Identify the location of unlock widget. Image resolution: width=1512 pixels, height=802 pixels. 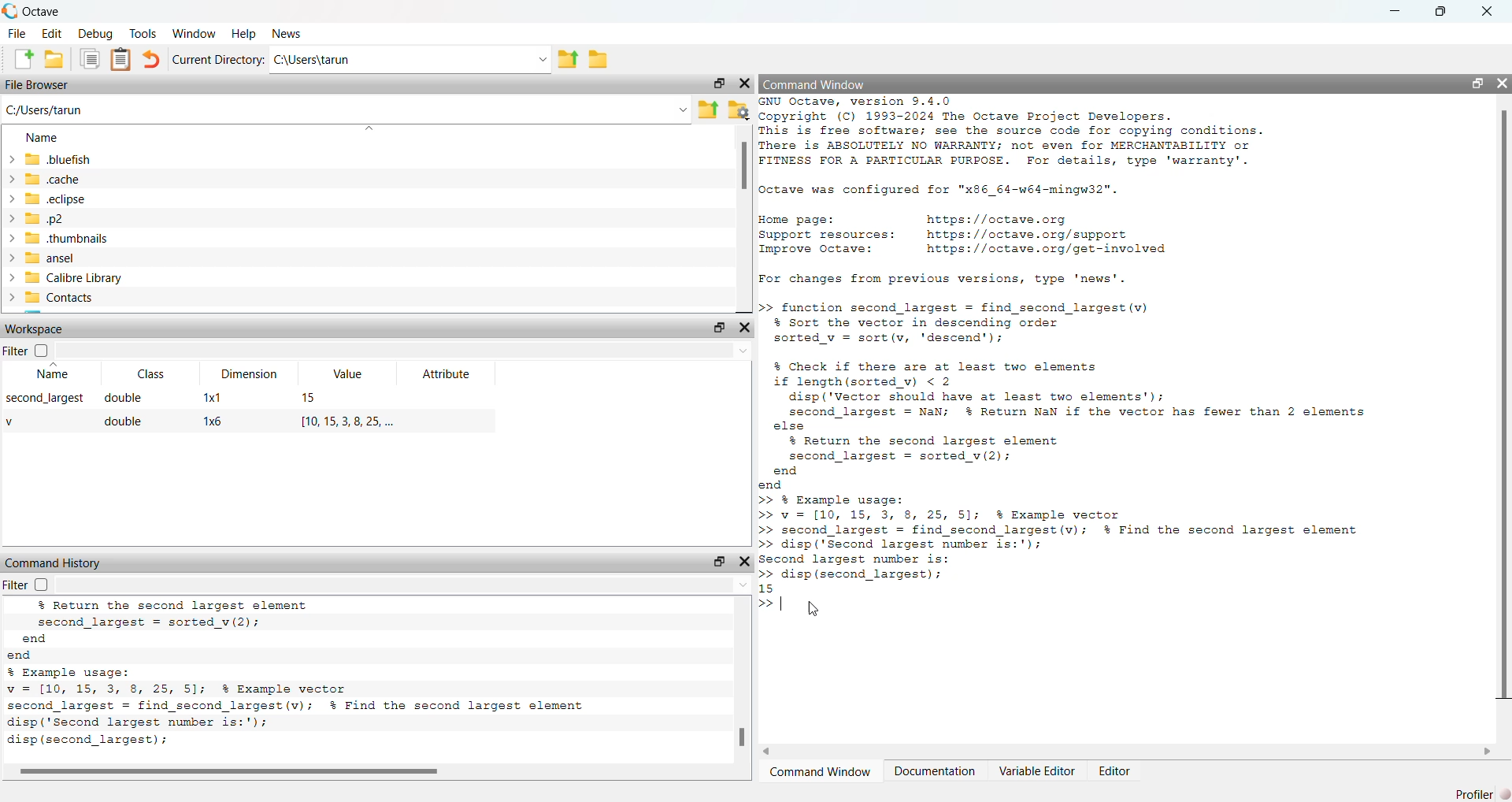
(716, 84).